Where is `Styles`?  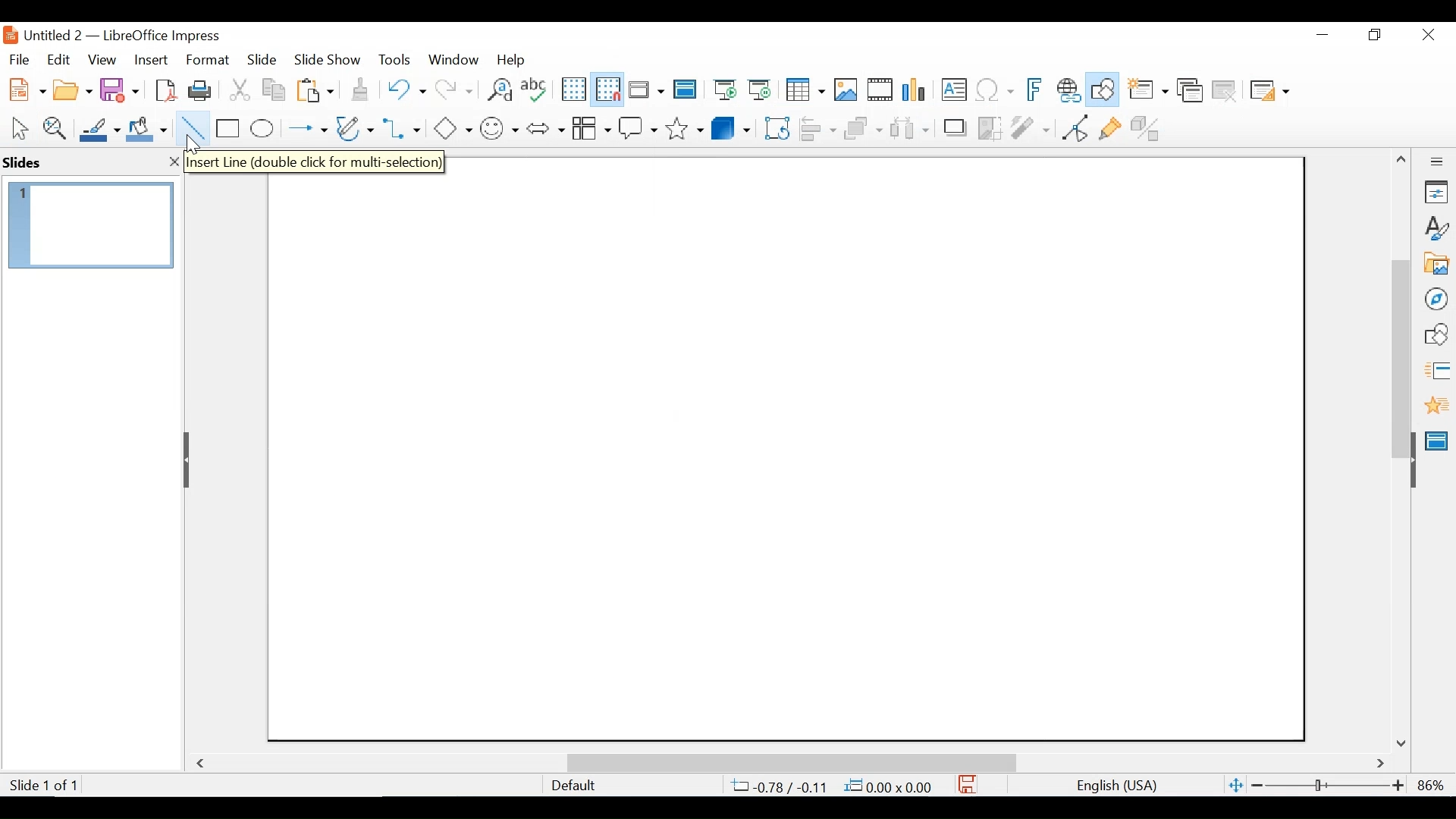 Styles is located at coordinates (1437, 229).